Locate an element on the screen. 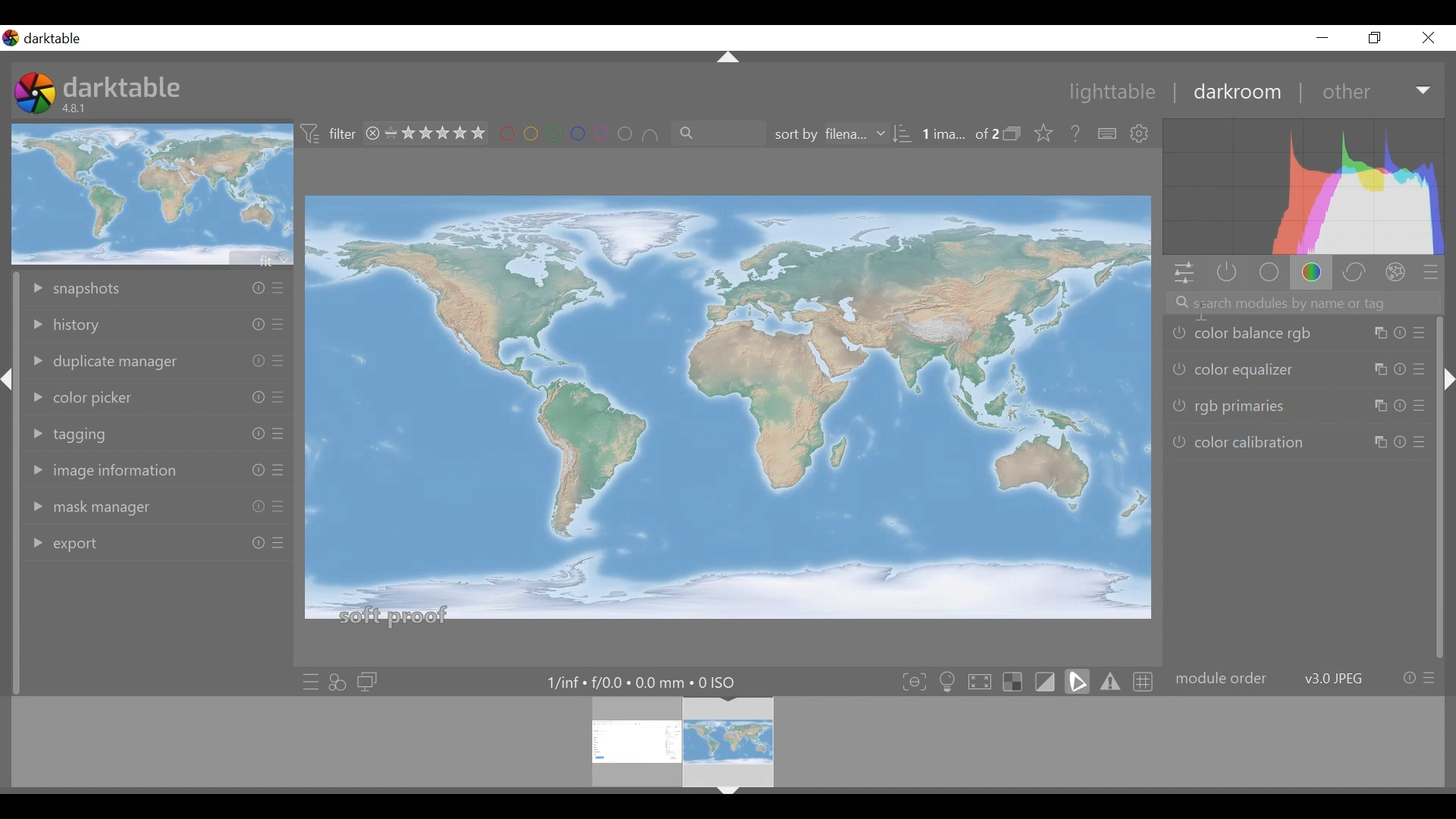 The image size is (1456, 819). show only active modules is located at coordinates (1223, 274).